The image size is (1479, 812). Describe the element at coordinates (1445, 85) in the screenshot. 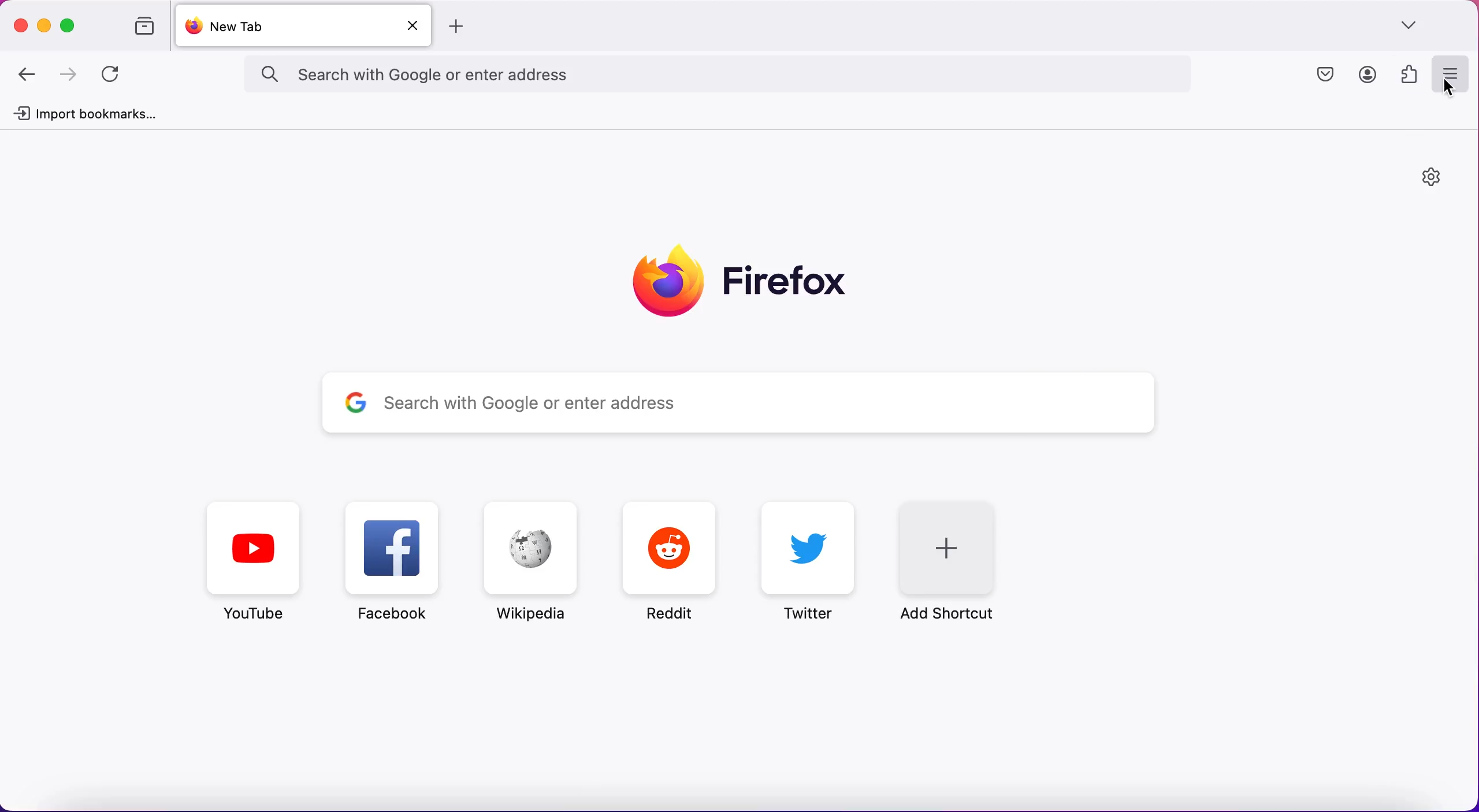

I see `cursor` at that location.